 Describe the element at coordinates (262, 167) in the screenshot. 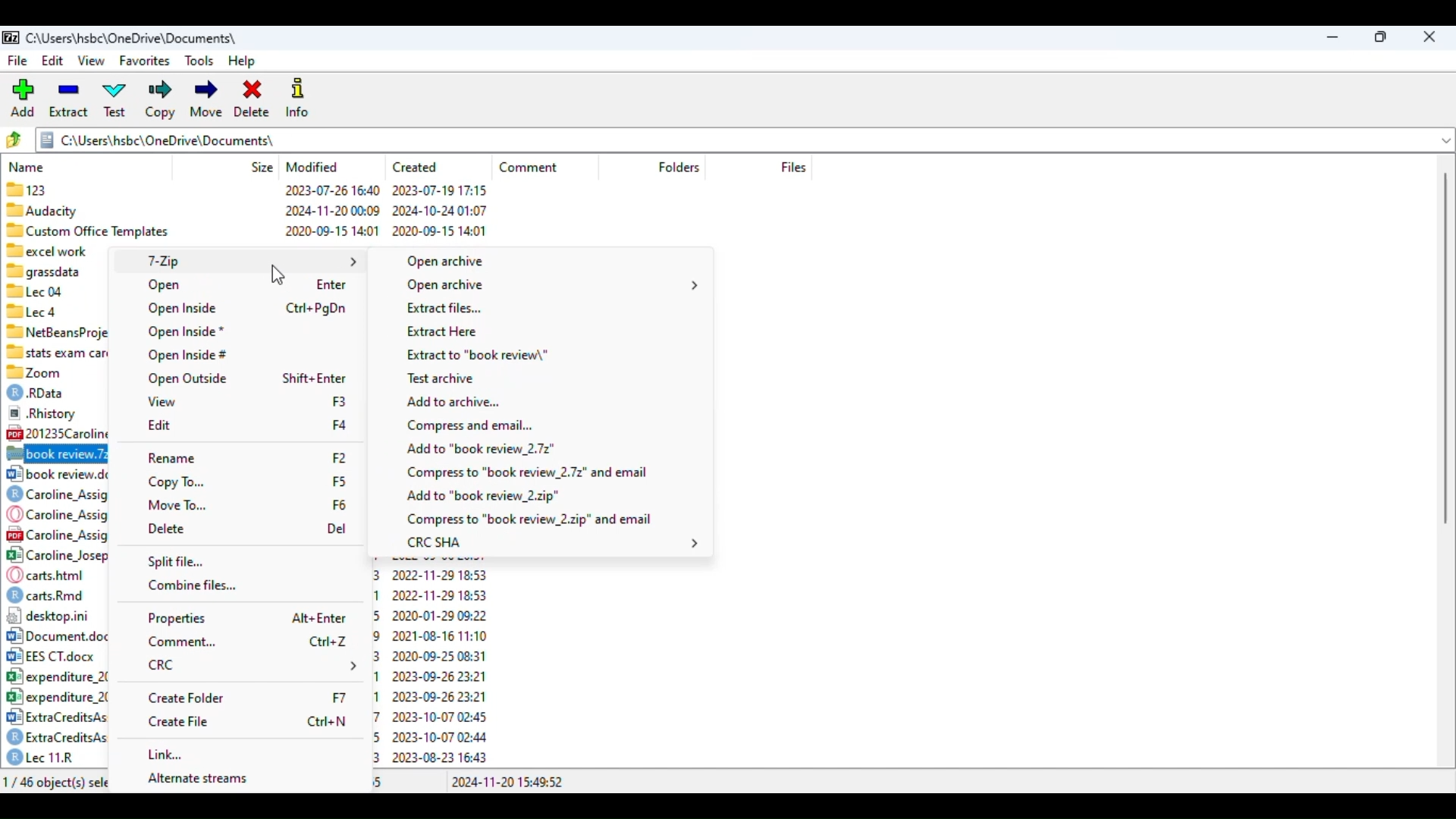

I see `size` at that location.